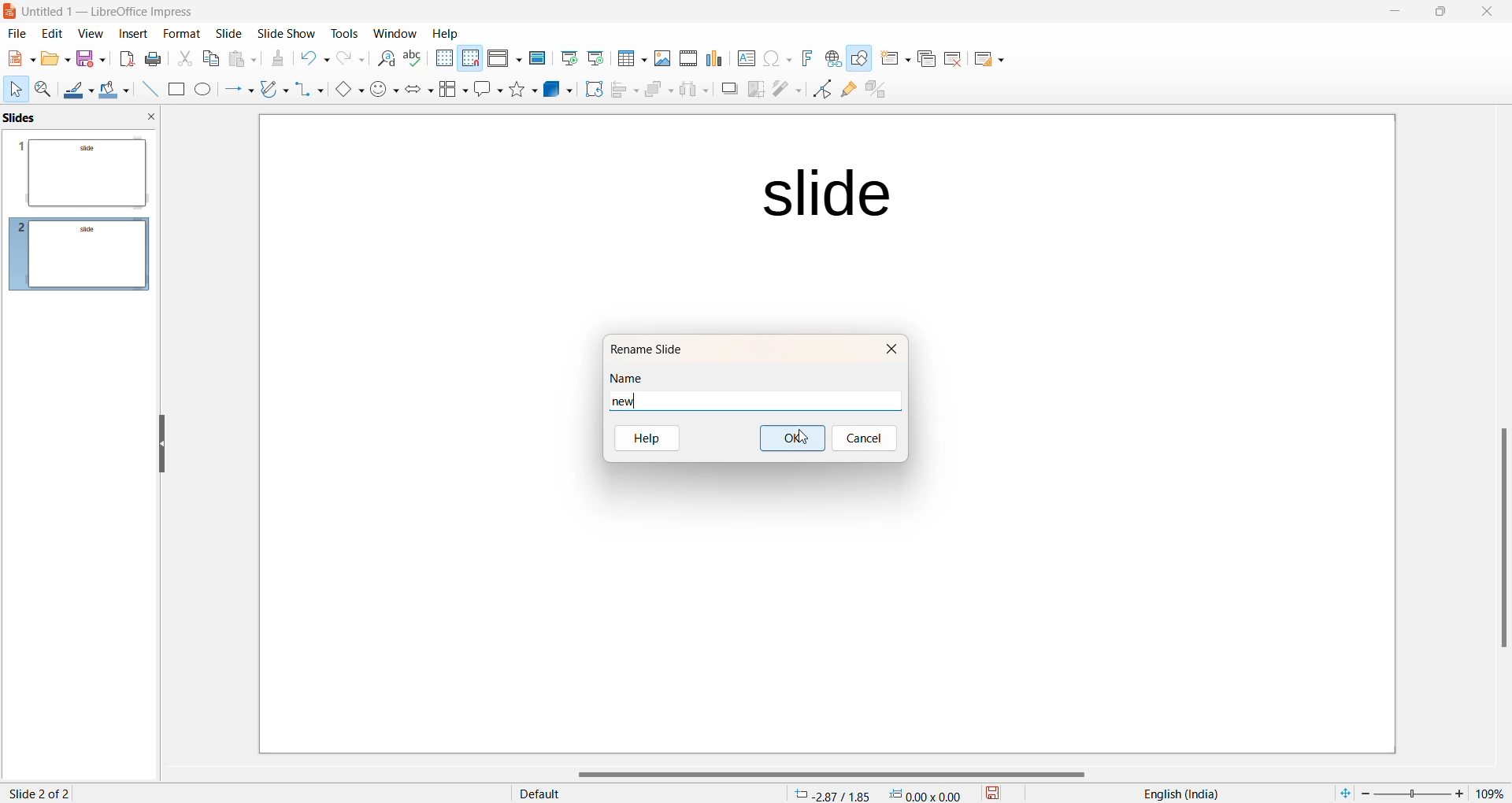 The image size is (1512, 803). I want to click on Copy, so click(209, 60).